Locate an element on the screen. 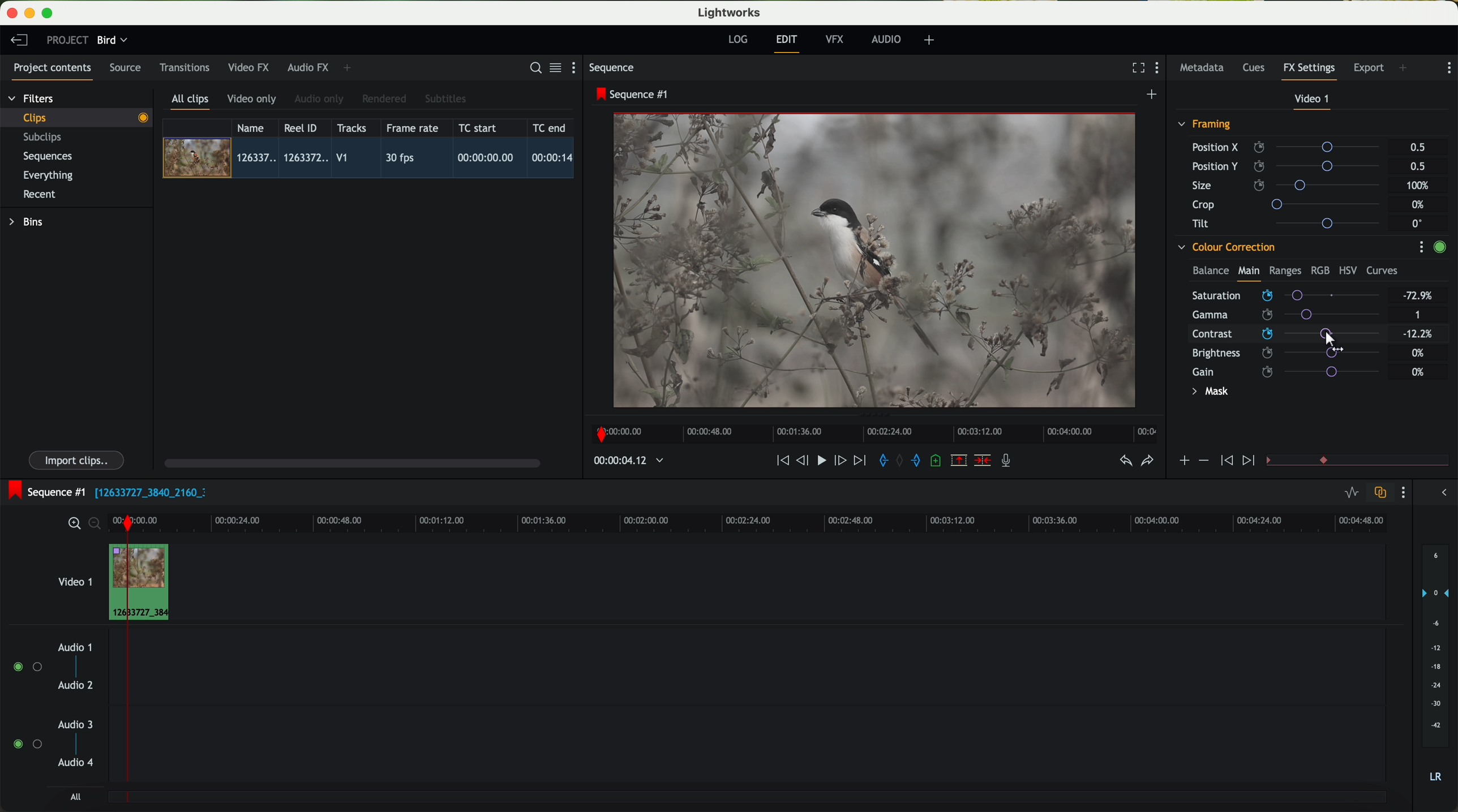 This screenshot has width=1458, height=812. delete/cut is located at coordinates (983, 461).